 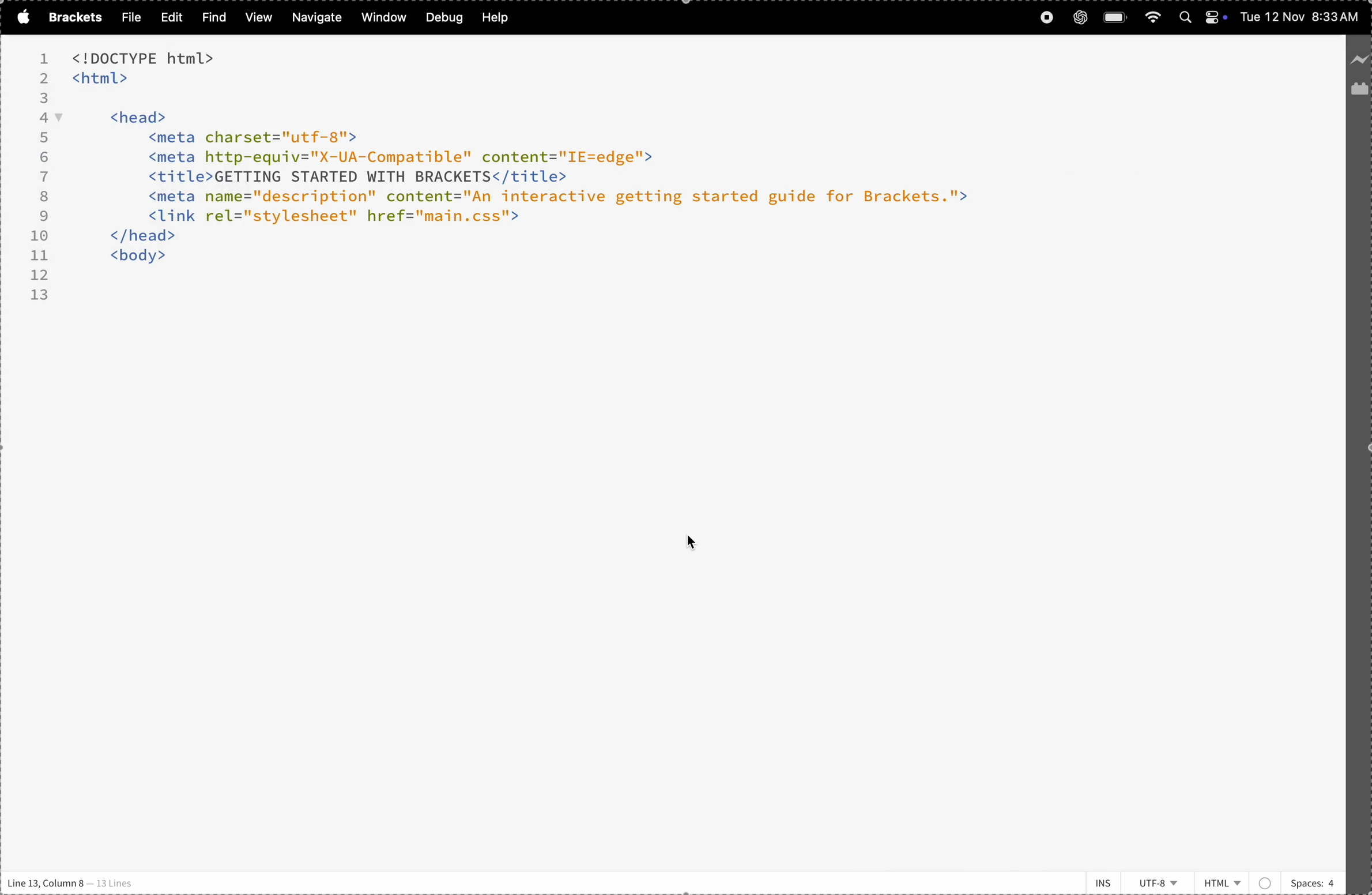 What do you see at coordinates (1116, 17) in the screenshot?
I see `battery` at bounding box center [1116, 17].